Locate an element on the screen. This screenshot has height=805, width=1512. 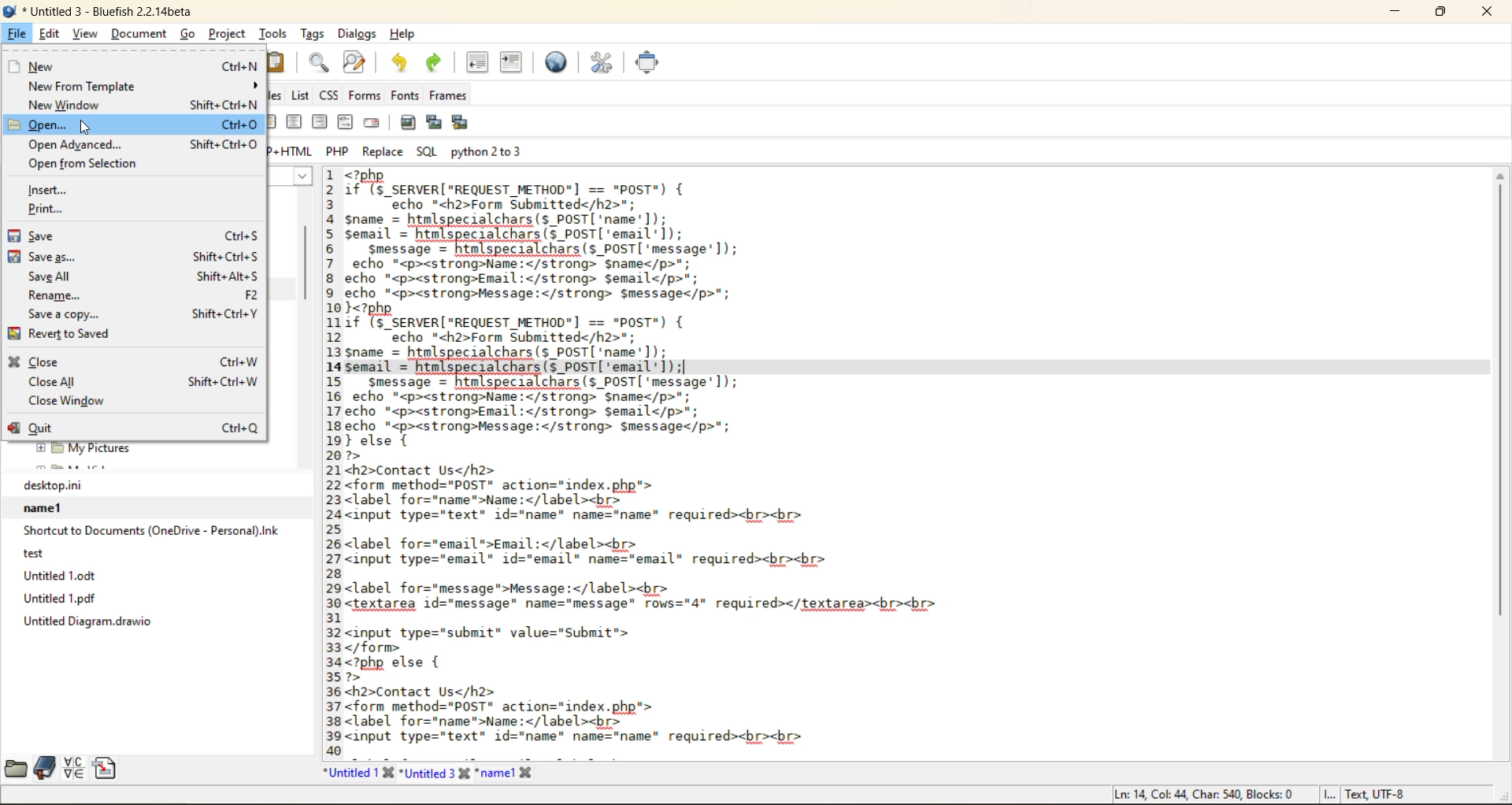
minimize is located at coordinates (1392, 11).